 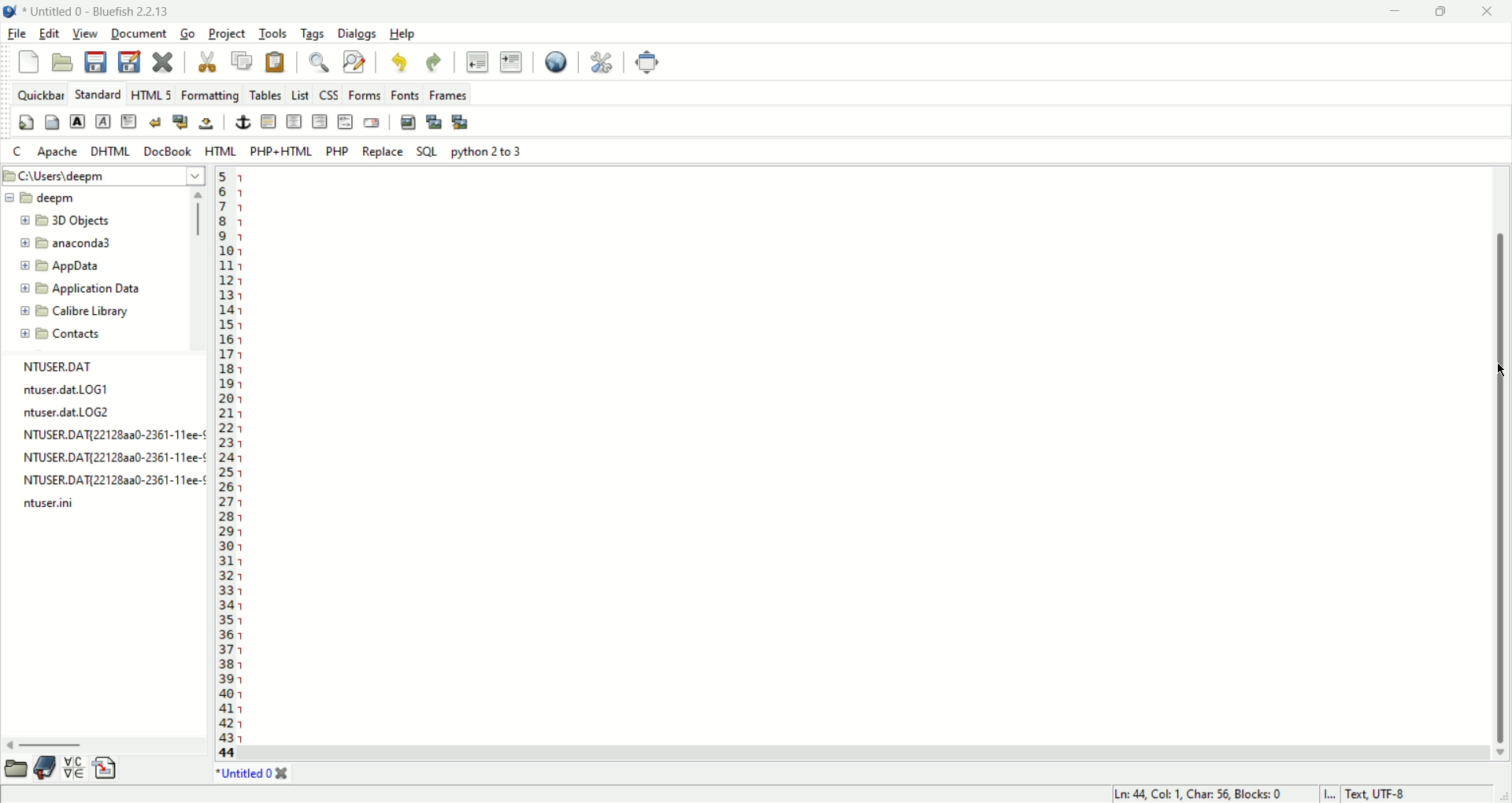 What do you see at coordinates (63, 61) in the screenshot?
I see `open file` at bounding box center [63, 61].